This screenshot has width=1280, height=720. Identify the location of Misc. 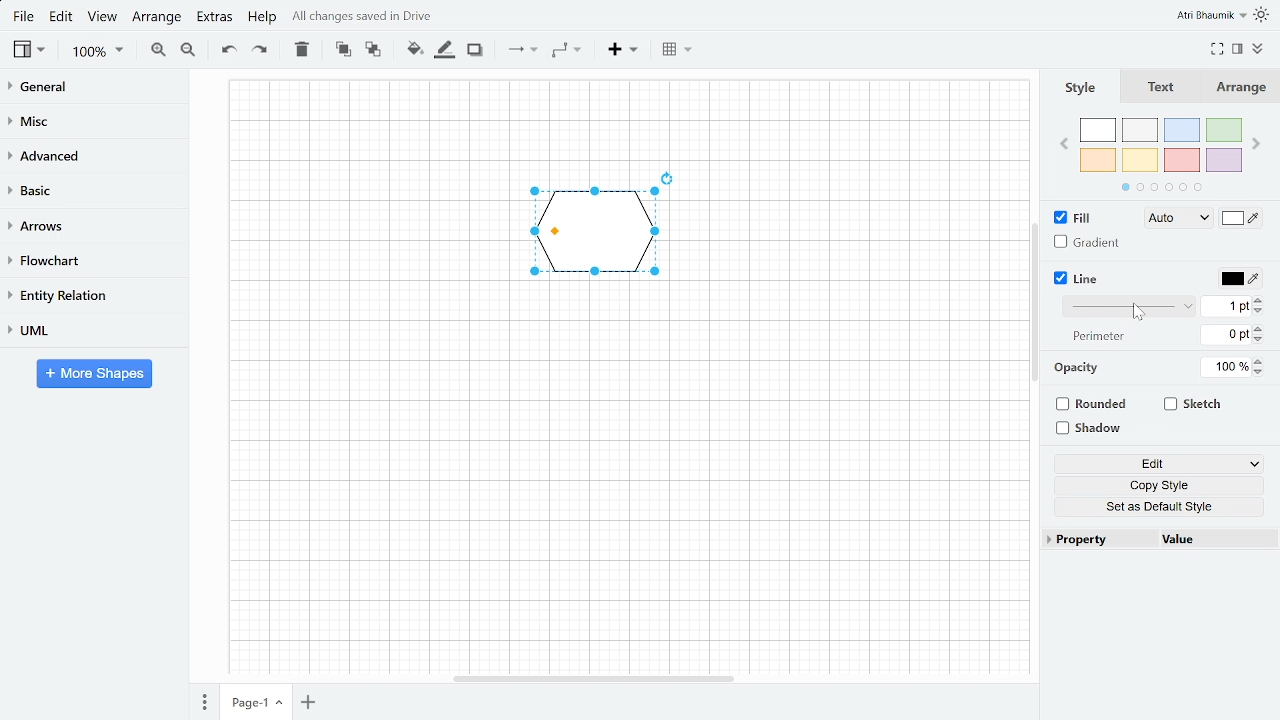
(94, 120).